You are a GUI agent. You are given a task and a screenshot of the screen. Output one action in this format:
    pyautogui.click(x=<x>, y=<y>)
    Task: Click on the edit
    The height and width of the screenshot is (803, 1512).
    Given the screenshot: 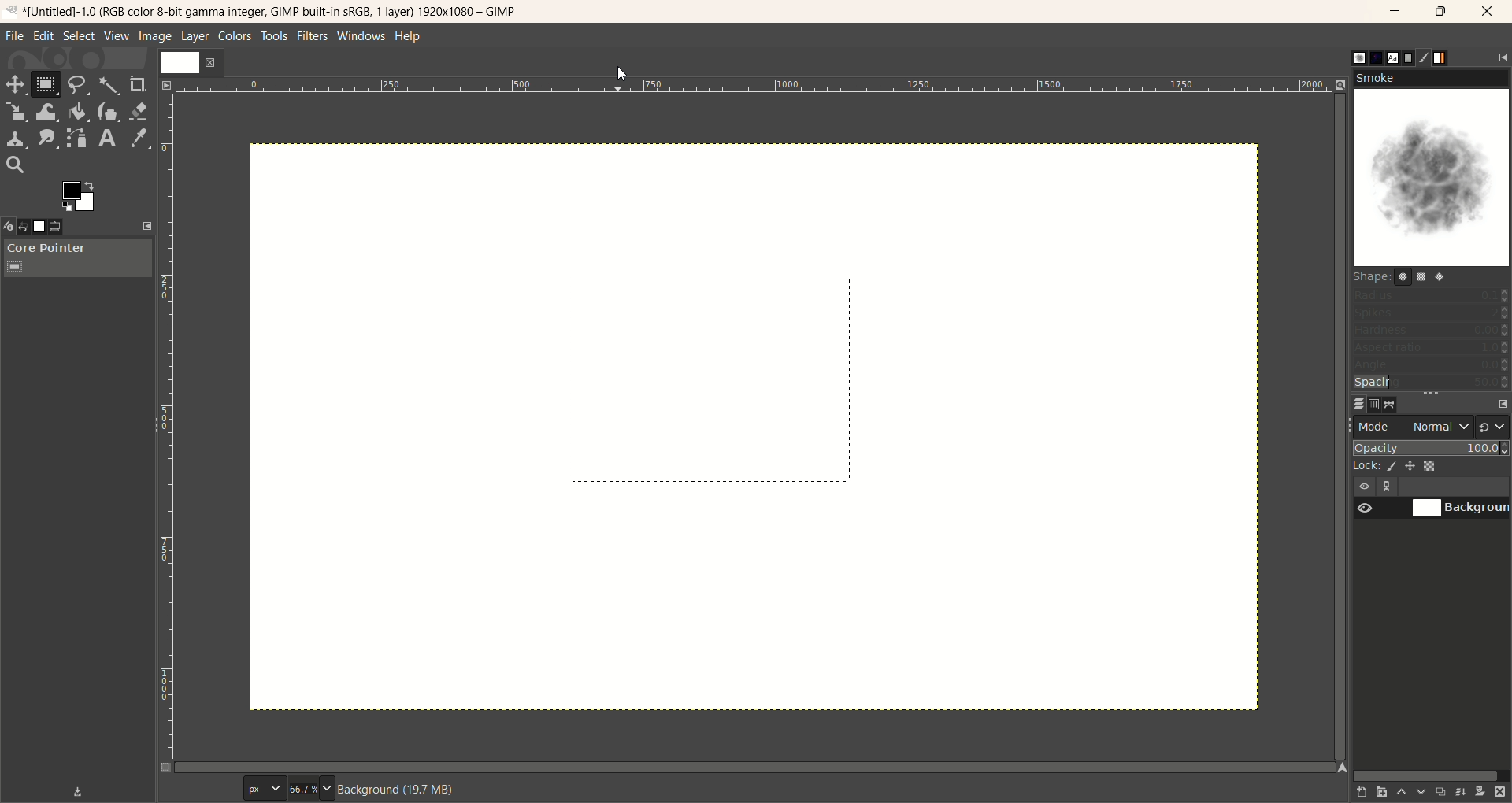 What is the action you would take?
    pyautogui.click(x=44, y=35)
    